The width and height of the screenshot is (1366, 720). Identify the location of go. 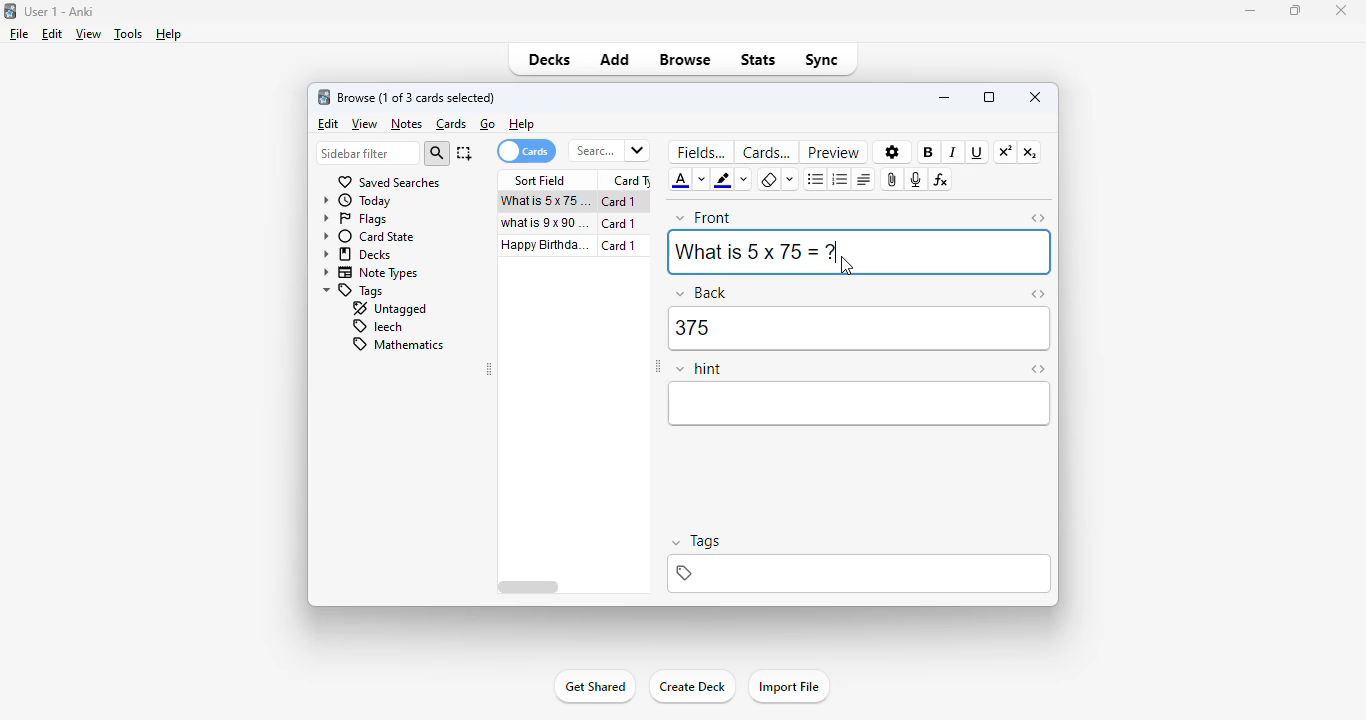
(487, 124).